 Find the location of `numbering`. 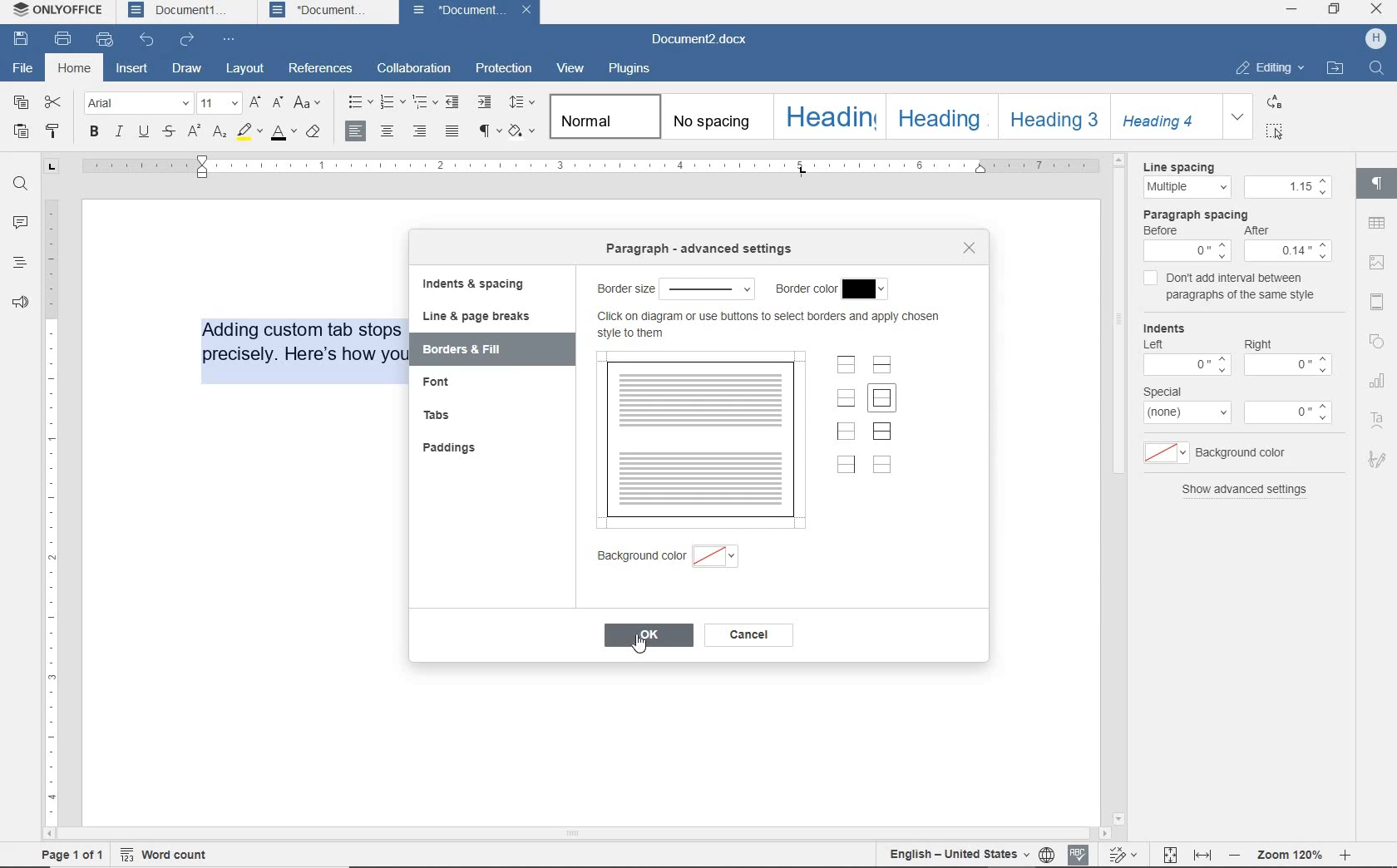

numbering is located at coordinates (390, 103).